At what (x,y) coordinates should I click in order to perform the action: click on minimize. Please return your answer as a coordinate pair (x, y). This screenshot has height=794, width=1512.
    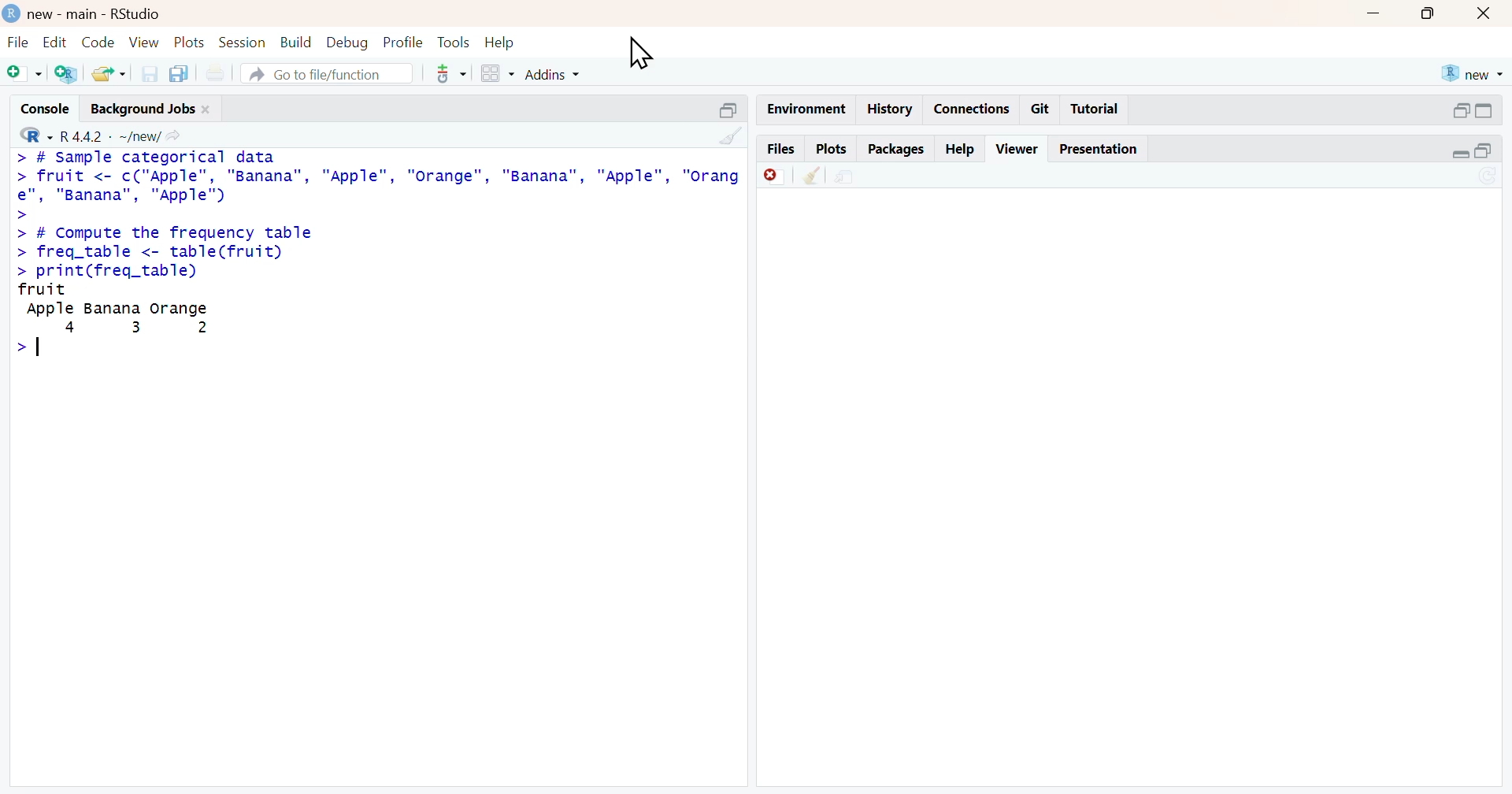
    Looking at the image, I should click on (1369, 15).